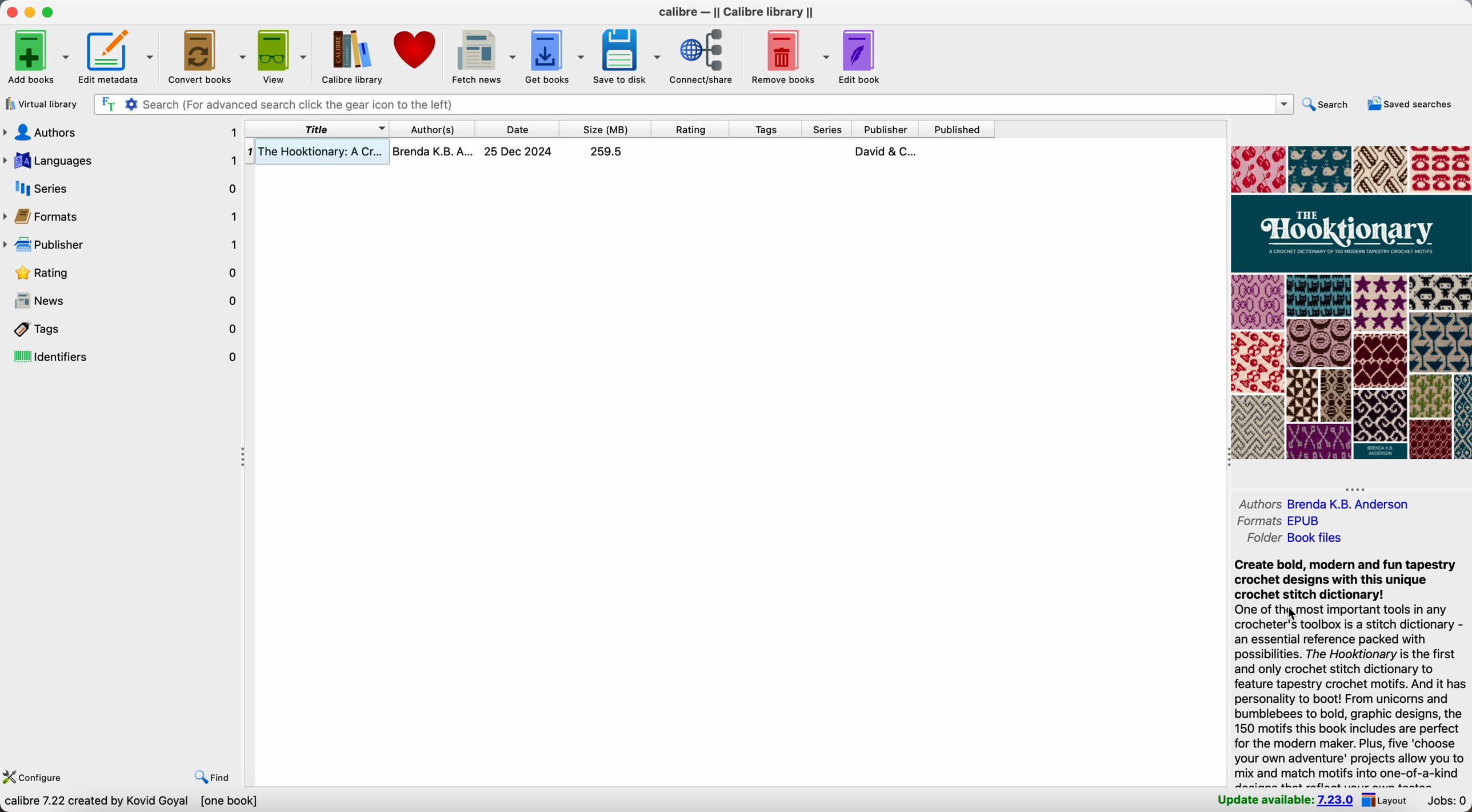  I want to click on search, so click(1324, 105).